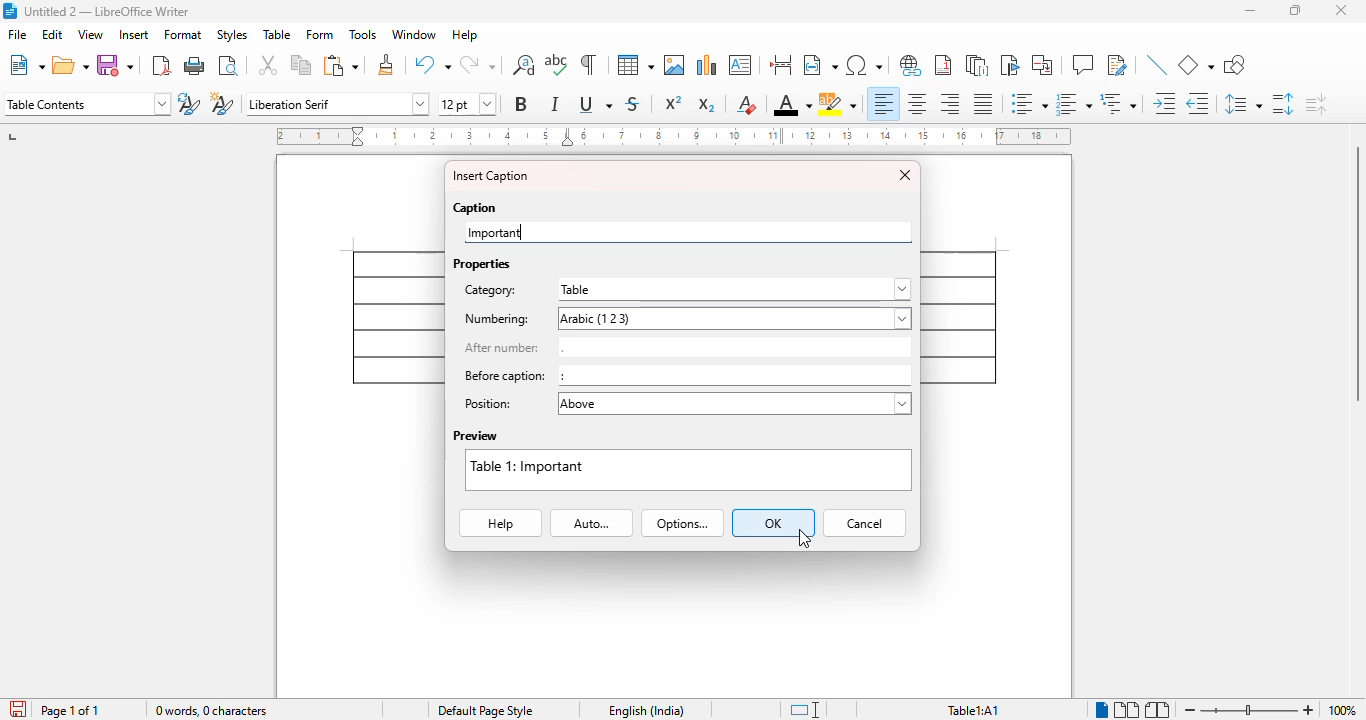 The image size is (1366, 720). Describe the element at coordinates (821, 64) in the screenshot. I see `insert field` at that location.